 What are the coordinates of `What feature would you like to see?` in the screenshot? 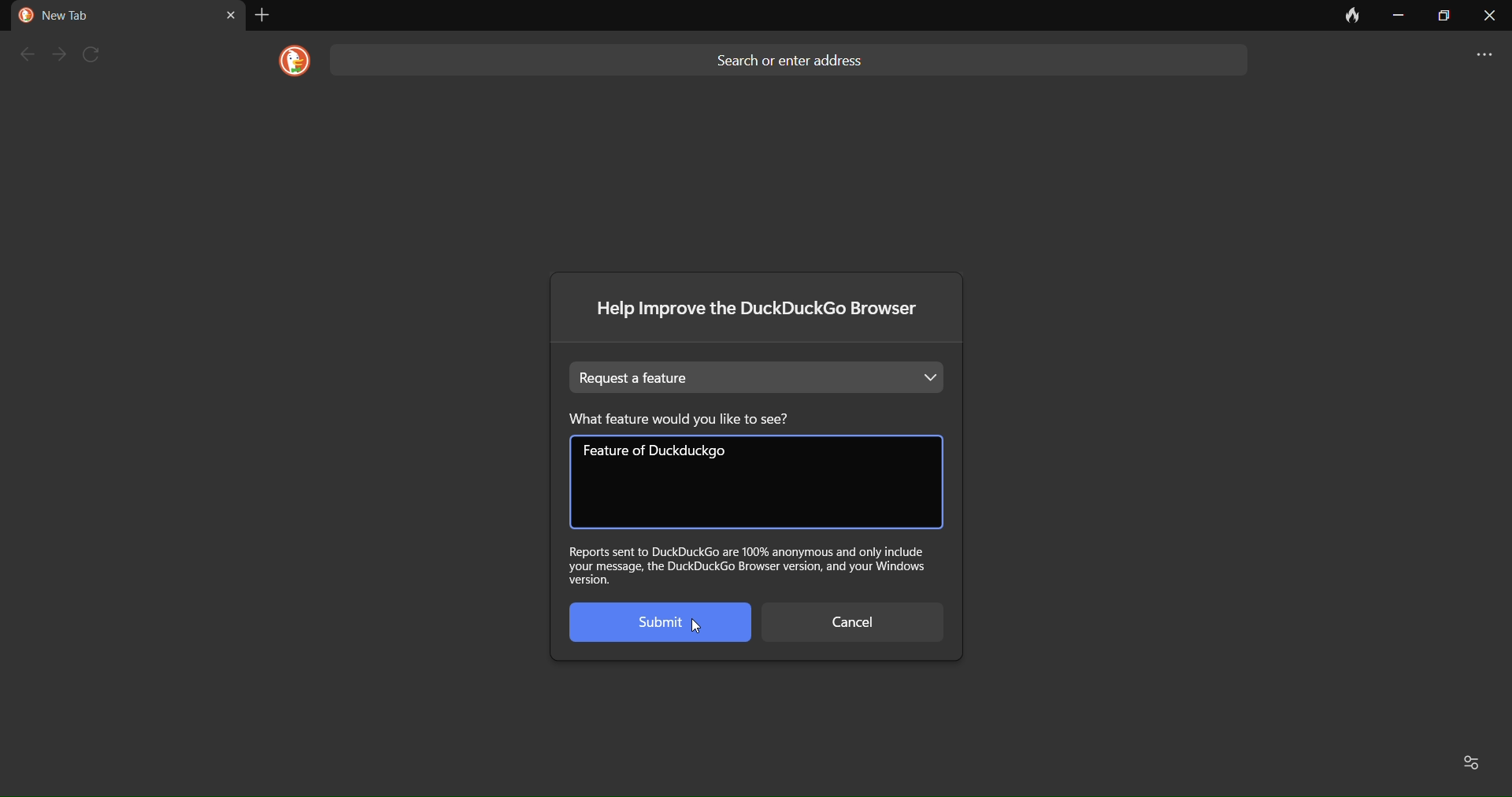 It's located at (707, 418).